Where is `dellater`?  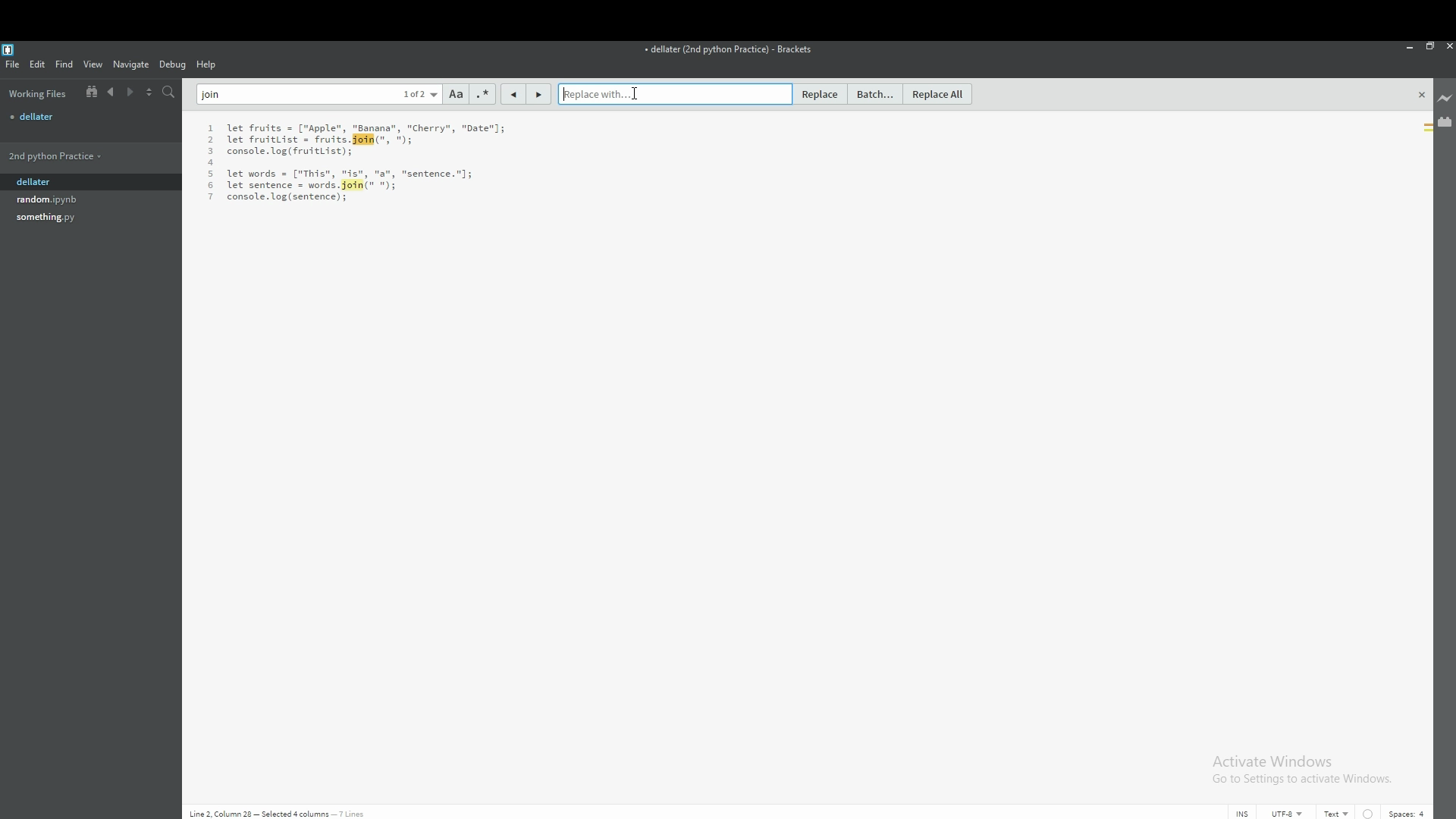 dellater is located at coordinates (71, 183).